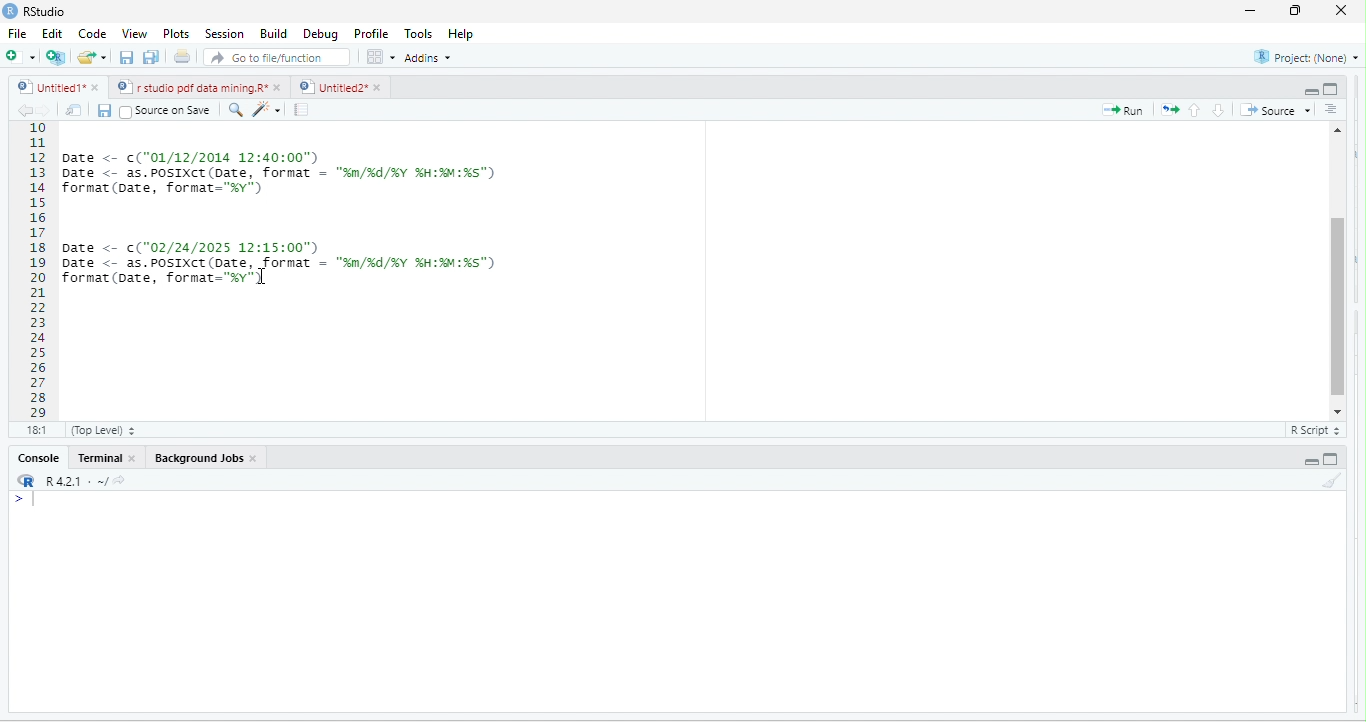  Describe the element at coordinates (1332, 483) in the screenshot. I see `clear console` at that location.